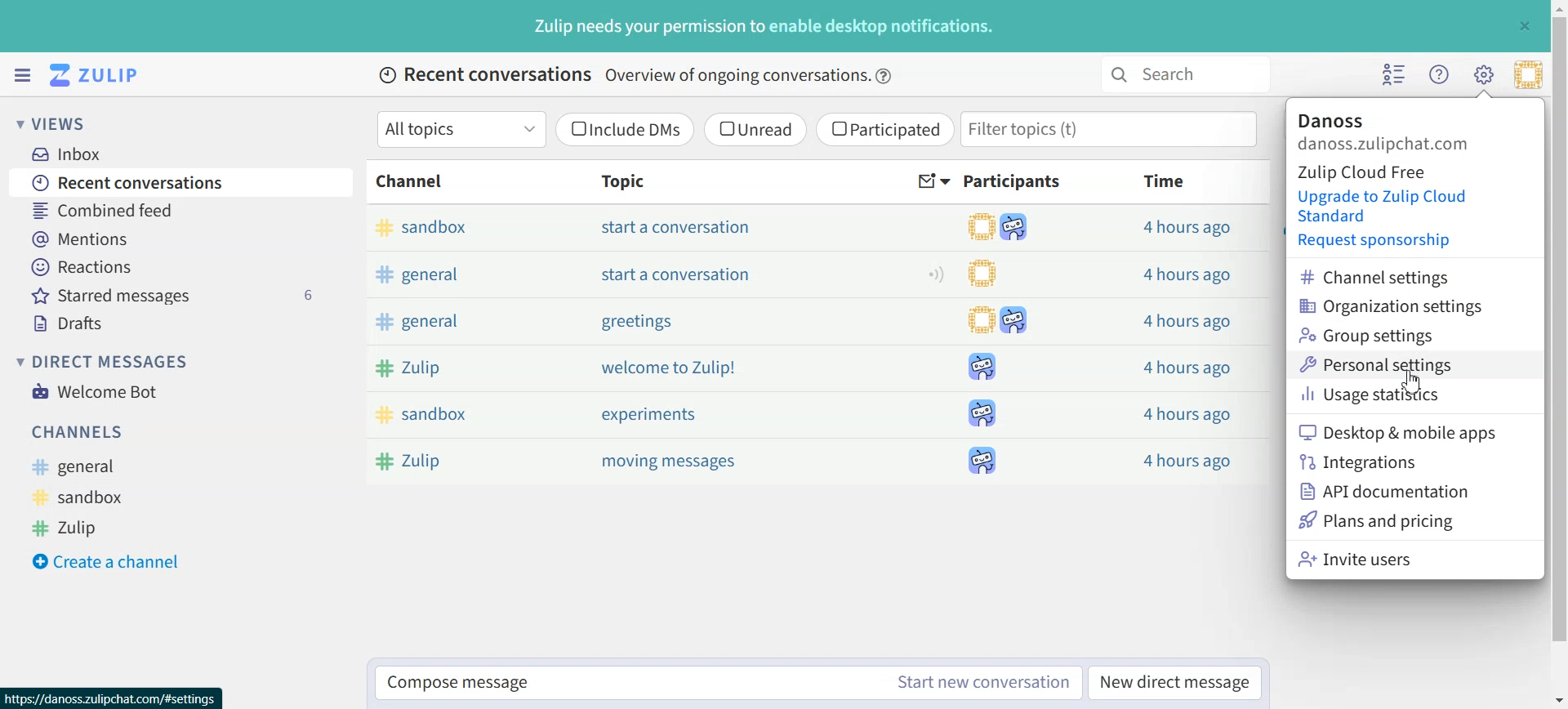 The height and width of the screenshot is (709, 1568). Describe the element at coordinates (1166, 181) in the screenshot. I see `Time` at that location.